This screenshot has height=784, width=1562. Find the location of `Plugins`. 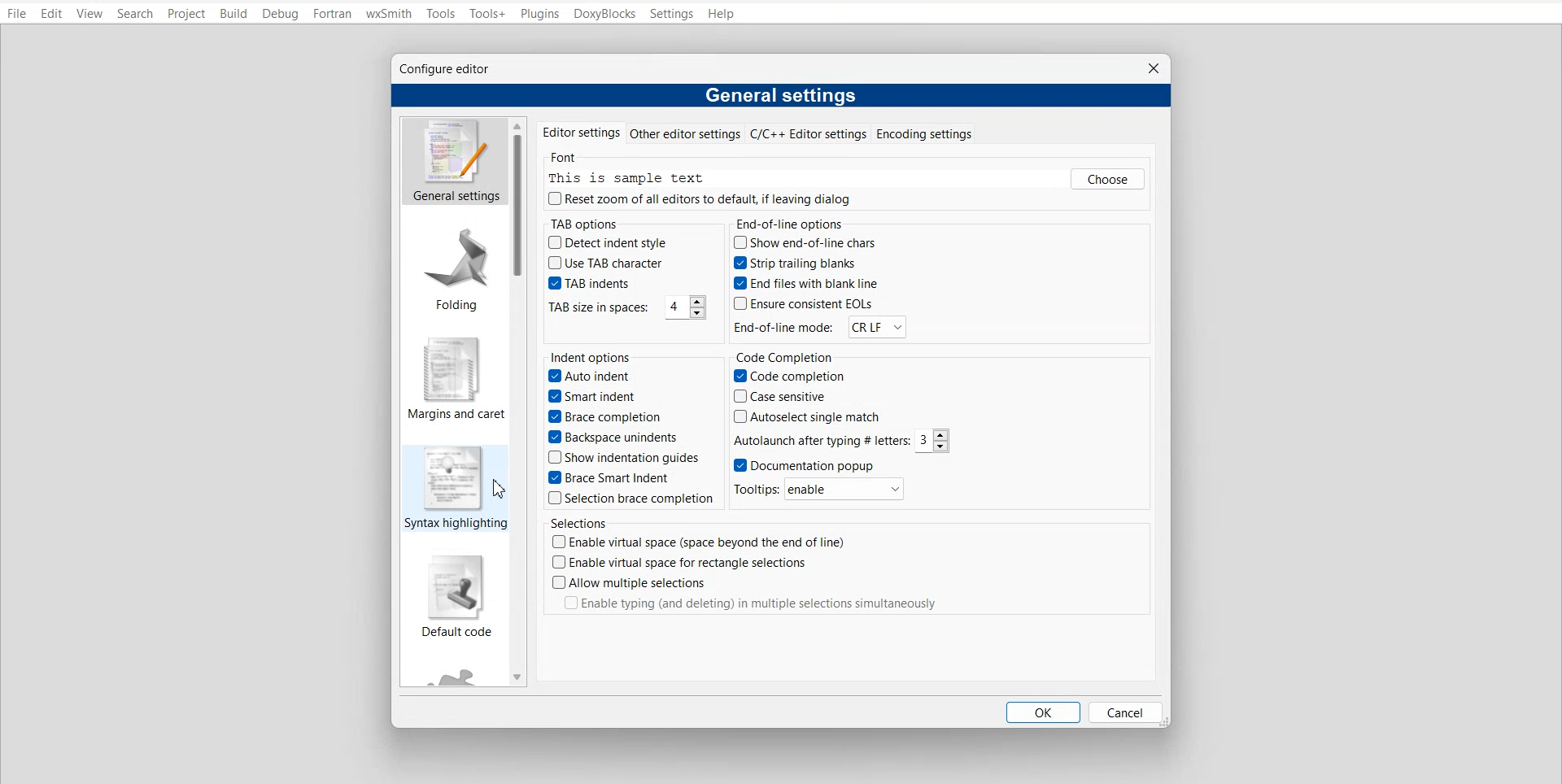

Plugins is located at coordinates (539, 13).